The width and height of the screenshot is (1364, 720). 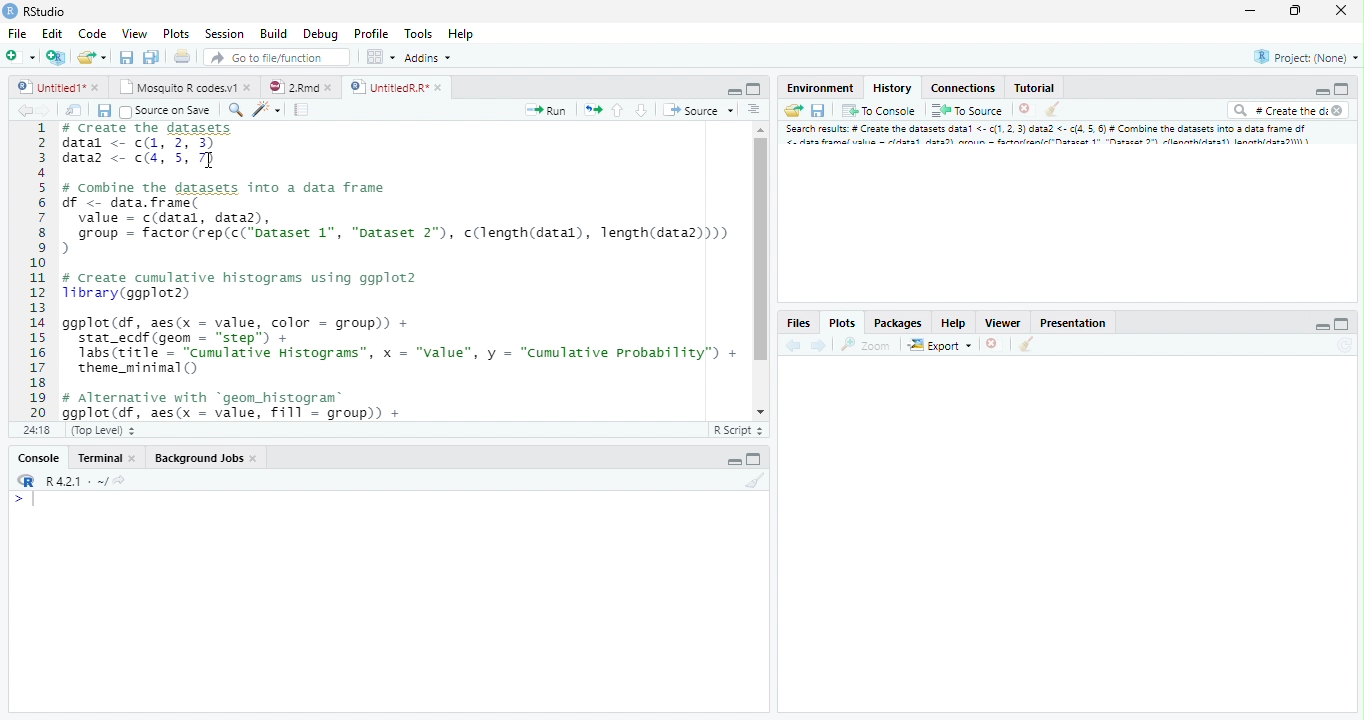 What do you see at coordinates (864, 346) in the screenshot?
I see `Zoom` at bounding box center [864, 346].